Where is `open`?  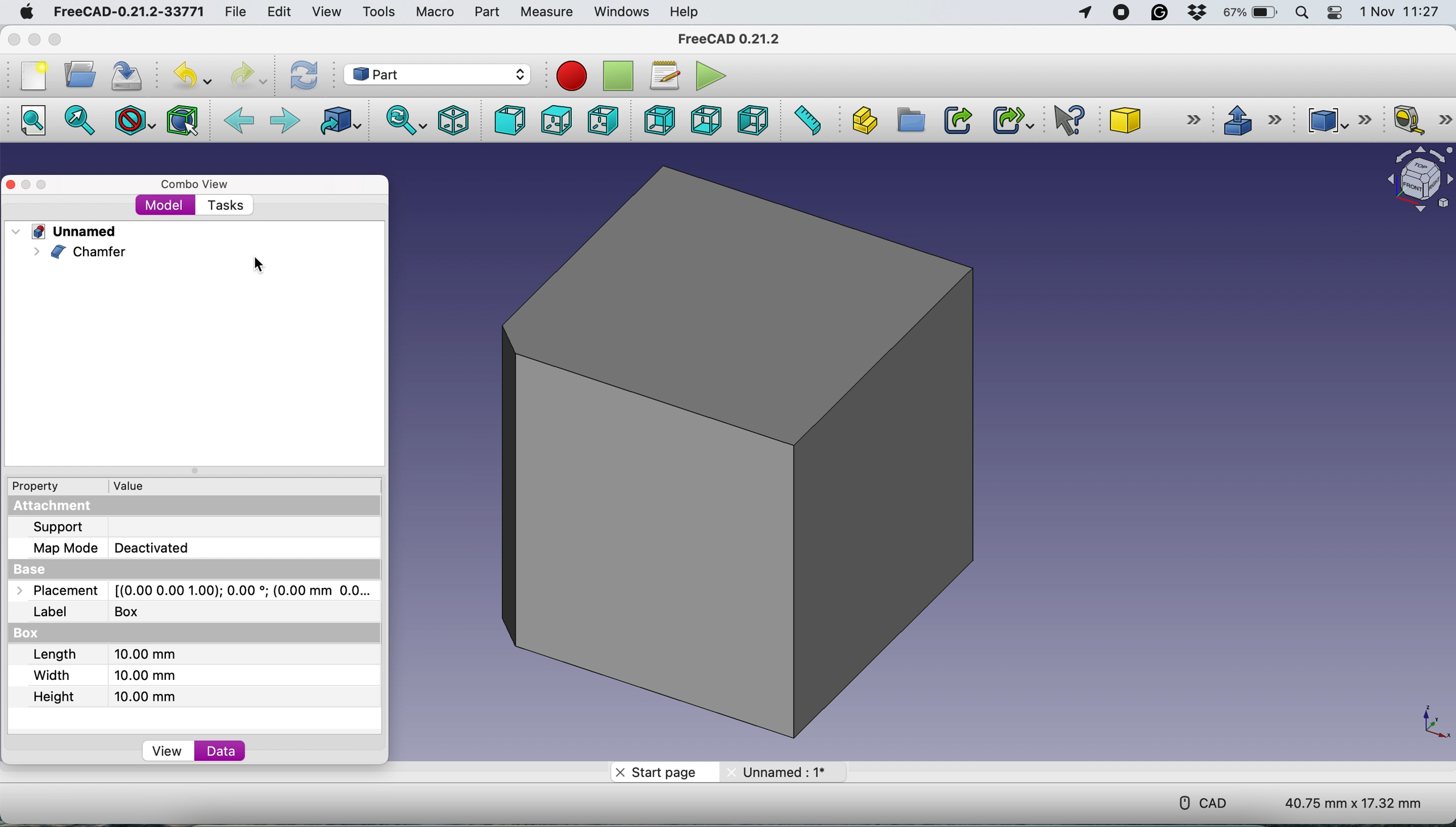 open is located at coordinates (81, 75).